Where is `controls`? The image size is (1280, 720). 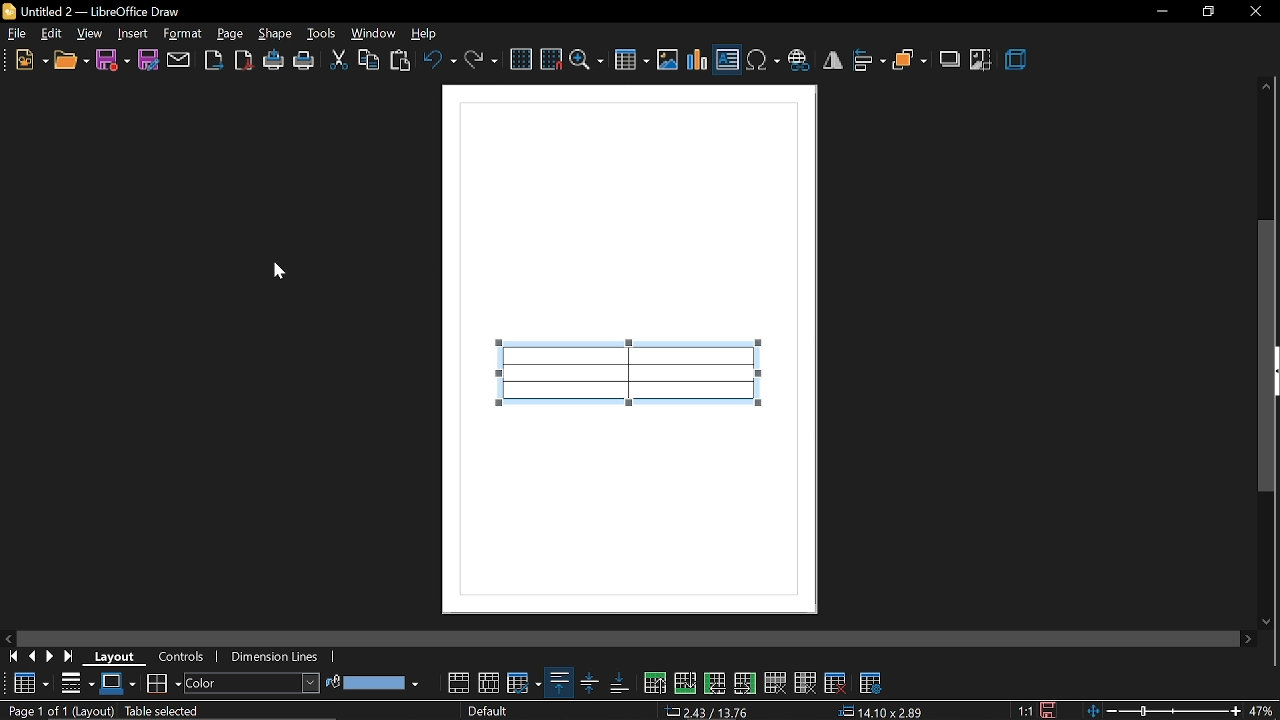 controls is located at coordinates (190, 660).